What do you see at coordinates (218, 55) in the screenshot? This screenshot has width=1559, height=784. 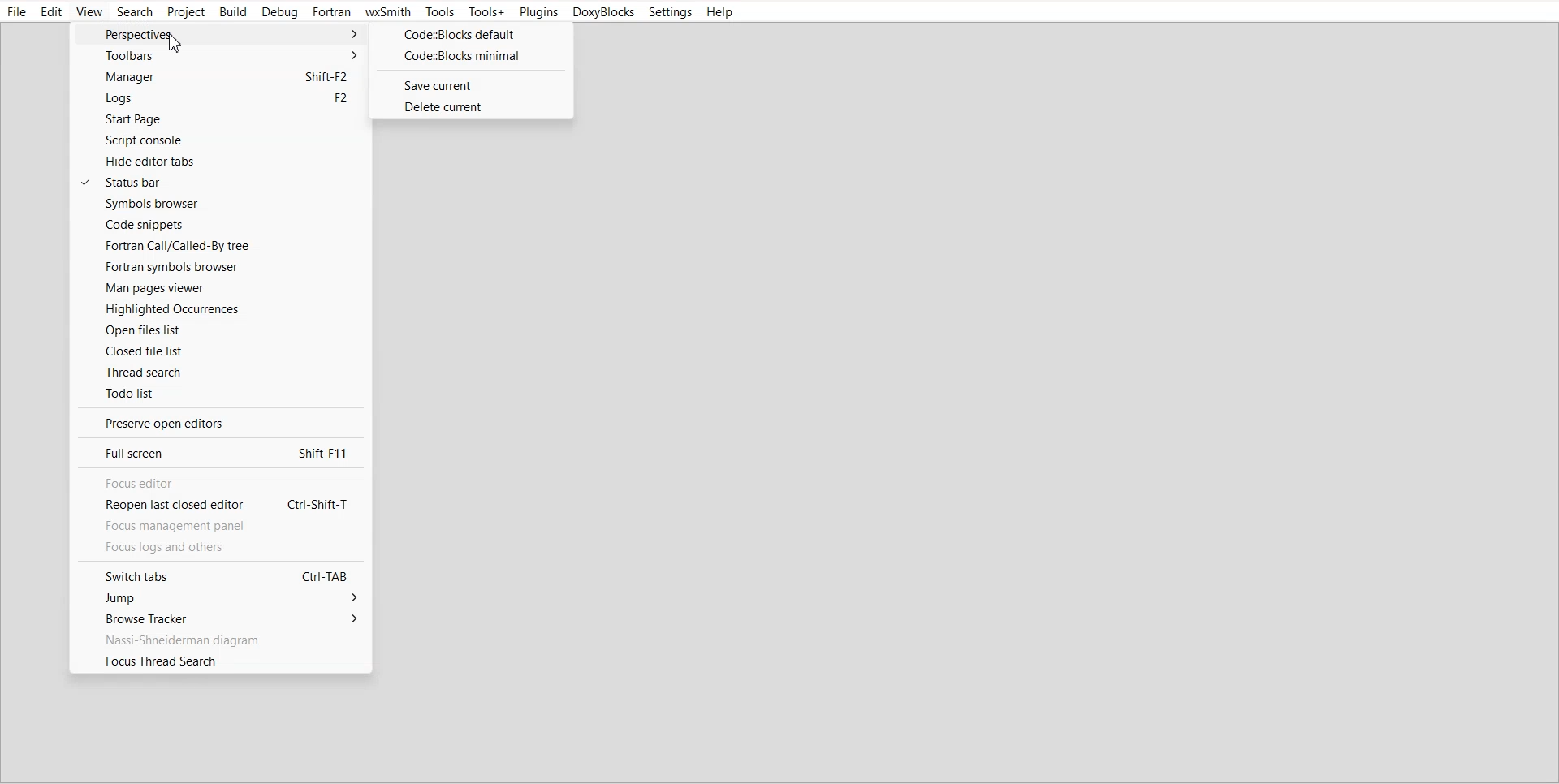 I see `Toolbars` at bounding box center [218, 55].